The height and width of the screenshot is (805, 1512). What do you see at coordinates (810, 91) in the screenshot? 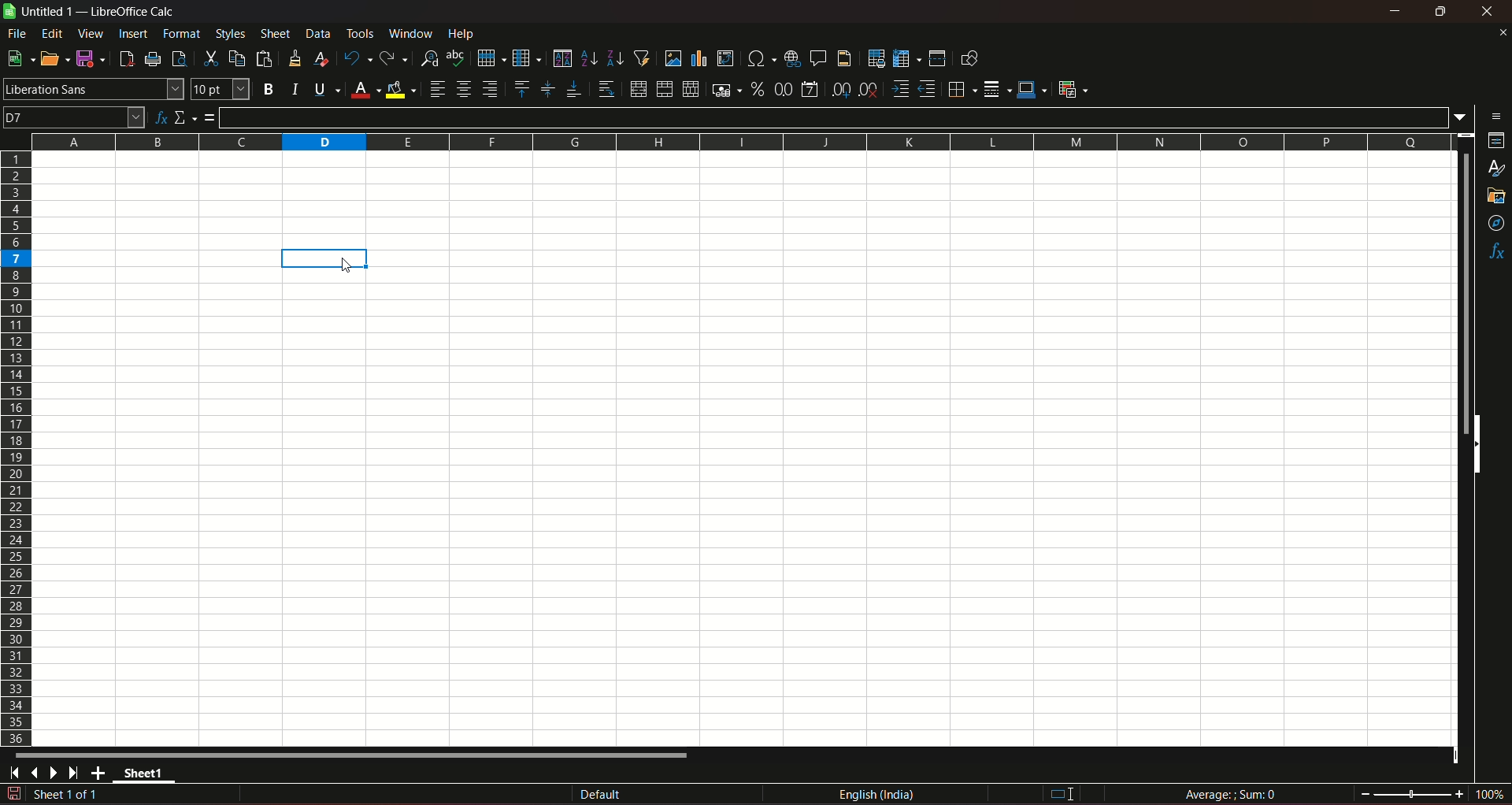
I see `format as date` at bounding box center [810, 91].